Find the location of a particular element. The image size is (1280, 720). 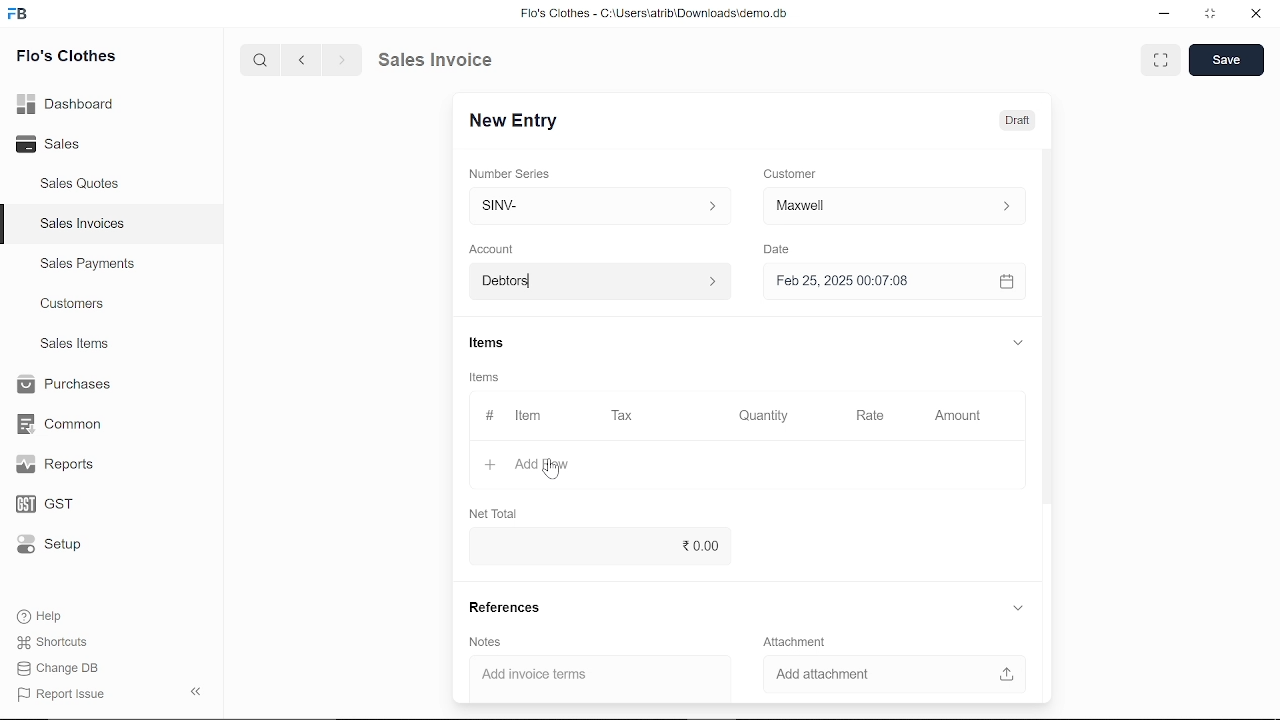

Insert Customer is located at coordinates (890, 206).